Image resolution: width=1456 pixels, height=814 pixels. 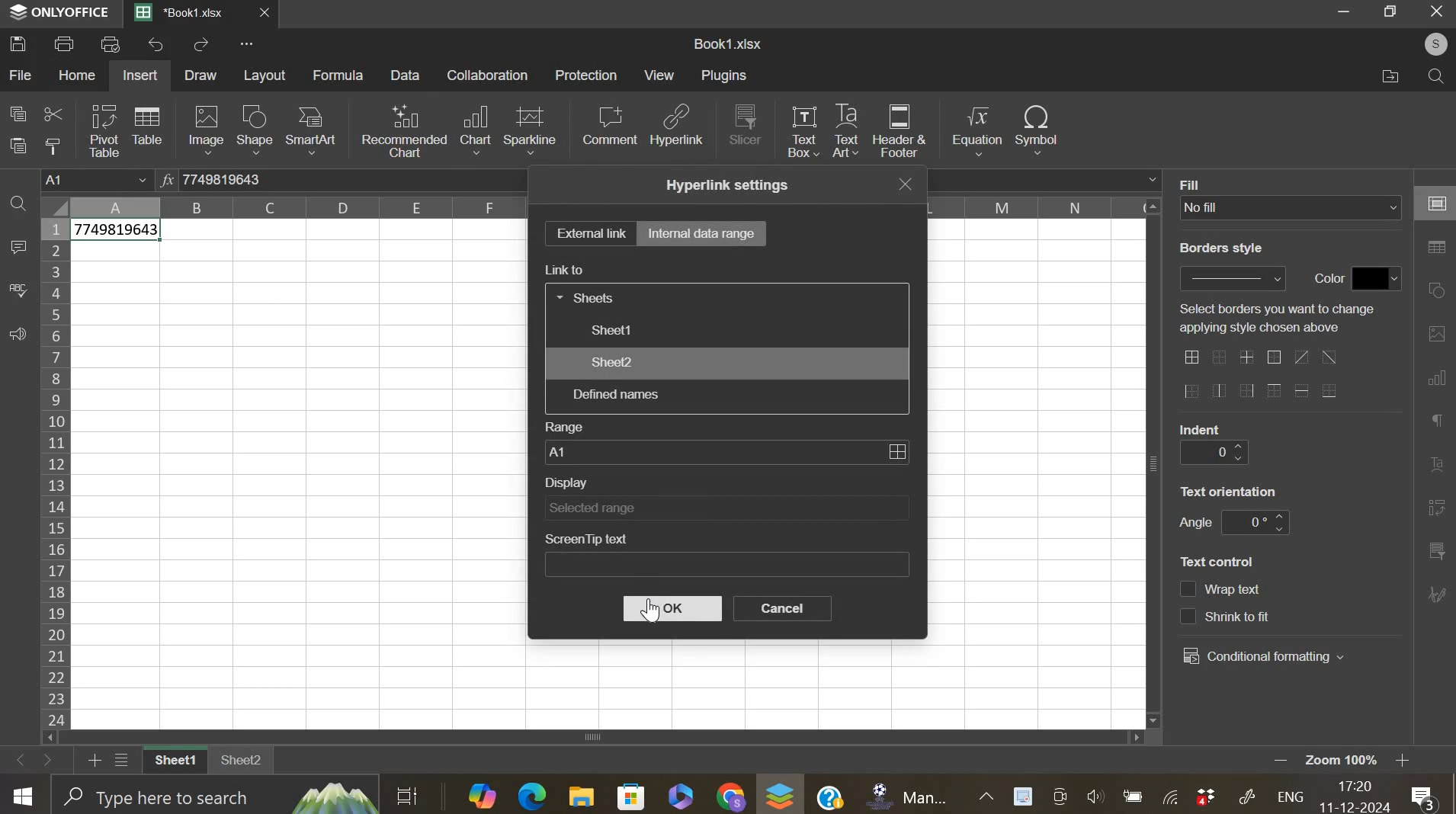 What do you see at coordinates (900, 131) in the screenshot?
I see `header & footer` at bounding box center [900, 131].